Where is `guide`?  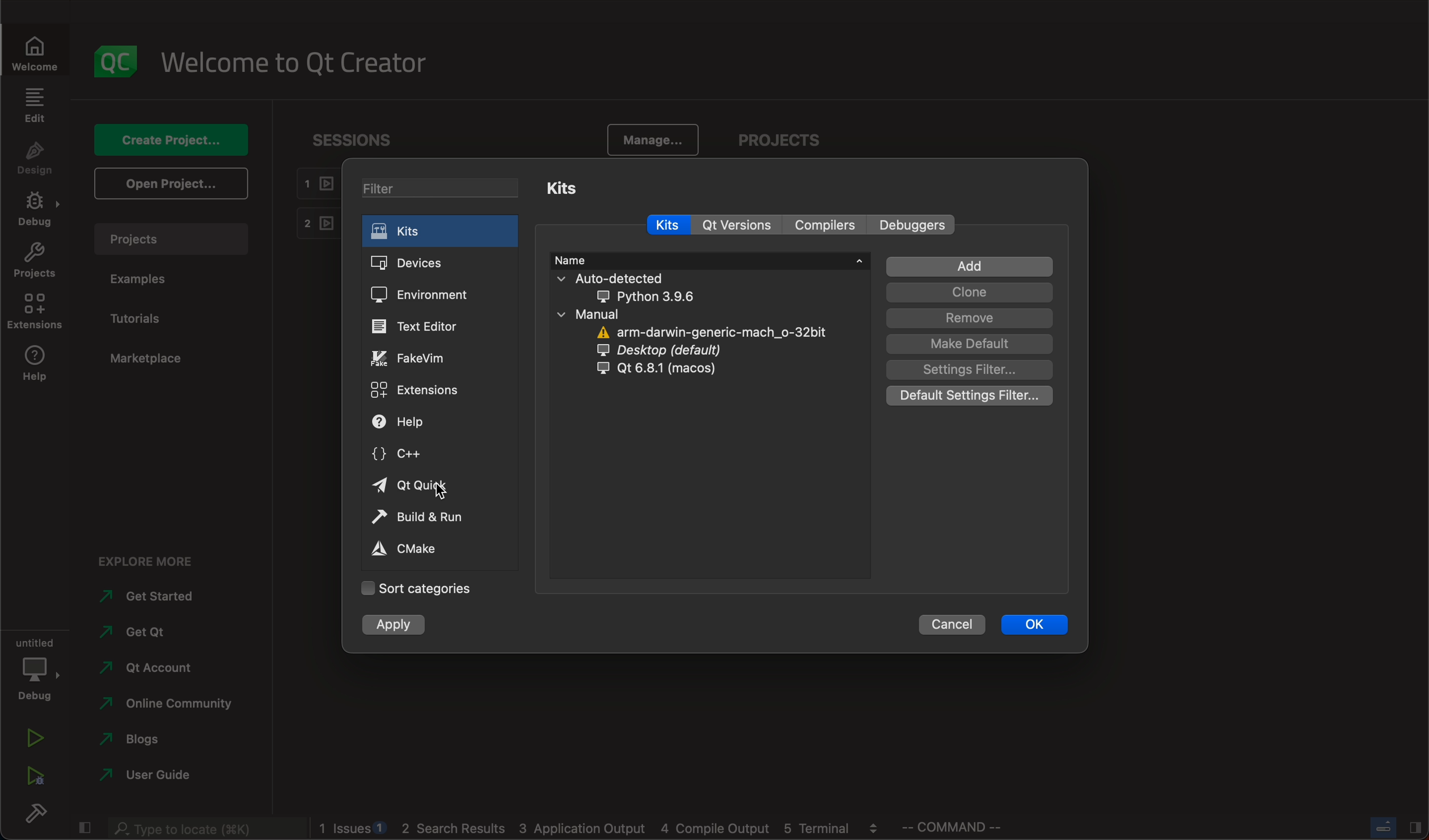
guide is located at coordinates (160, 776).